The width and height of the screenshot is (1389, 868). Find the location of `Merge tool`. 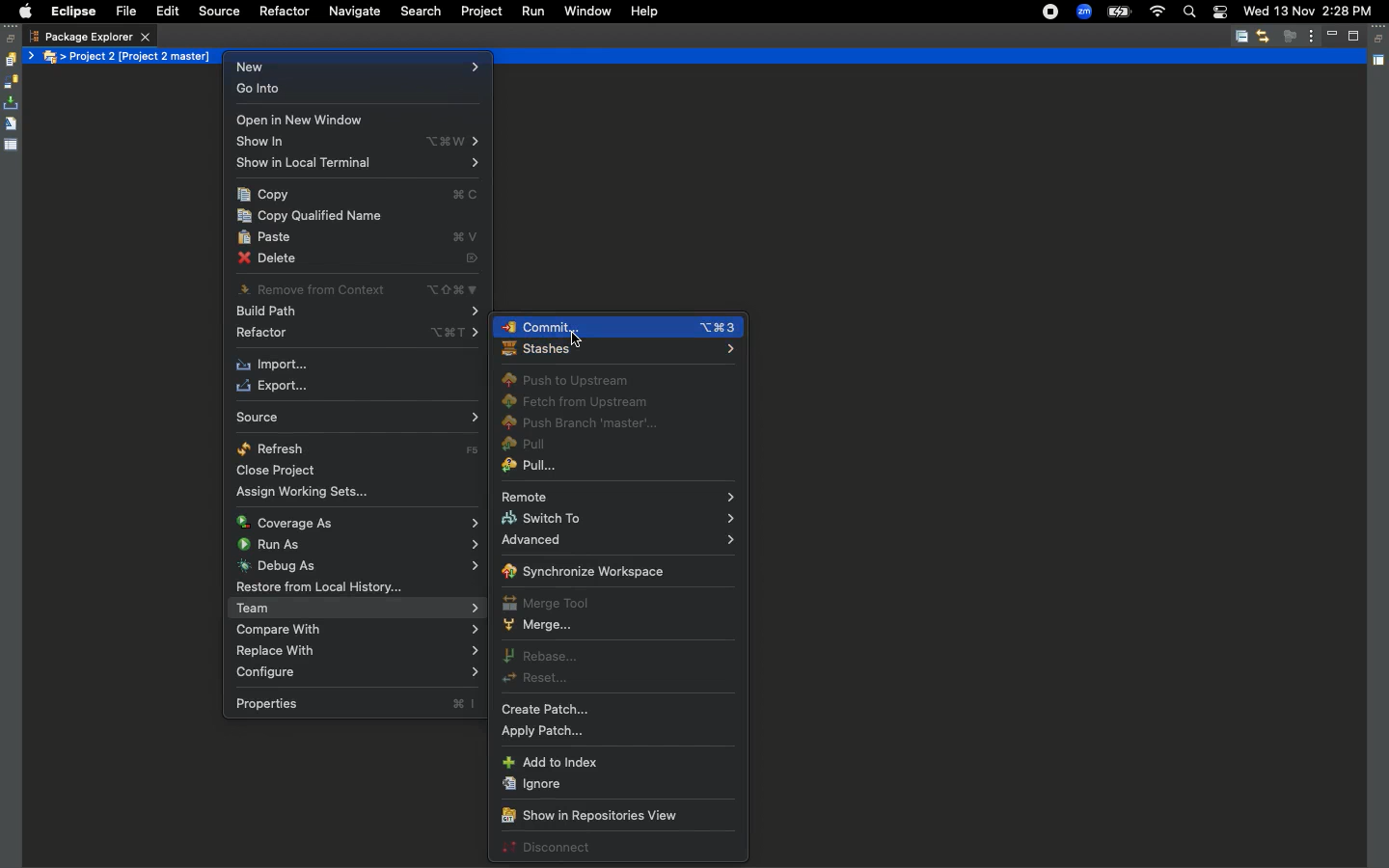

Merge tool is located at coordinates (548, 602).